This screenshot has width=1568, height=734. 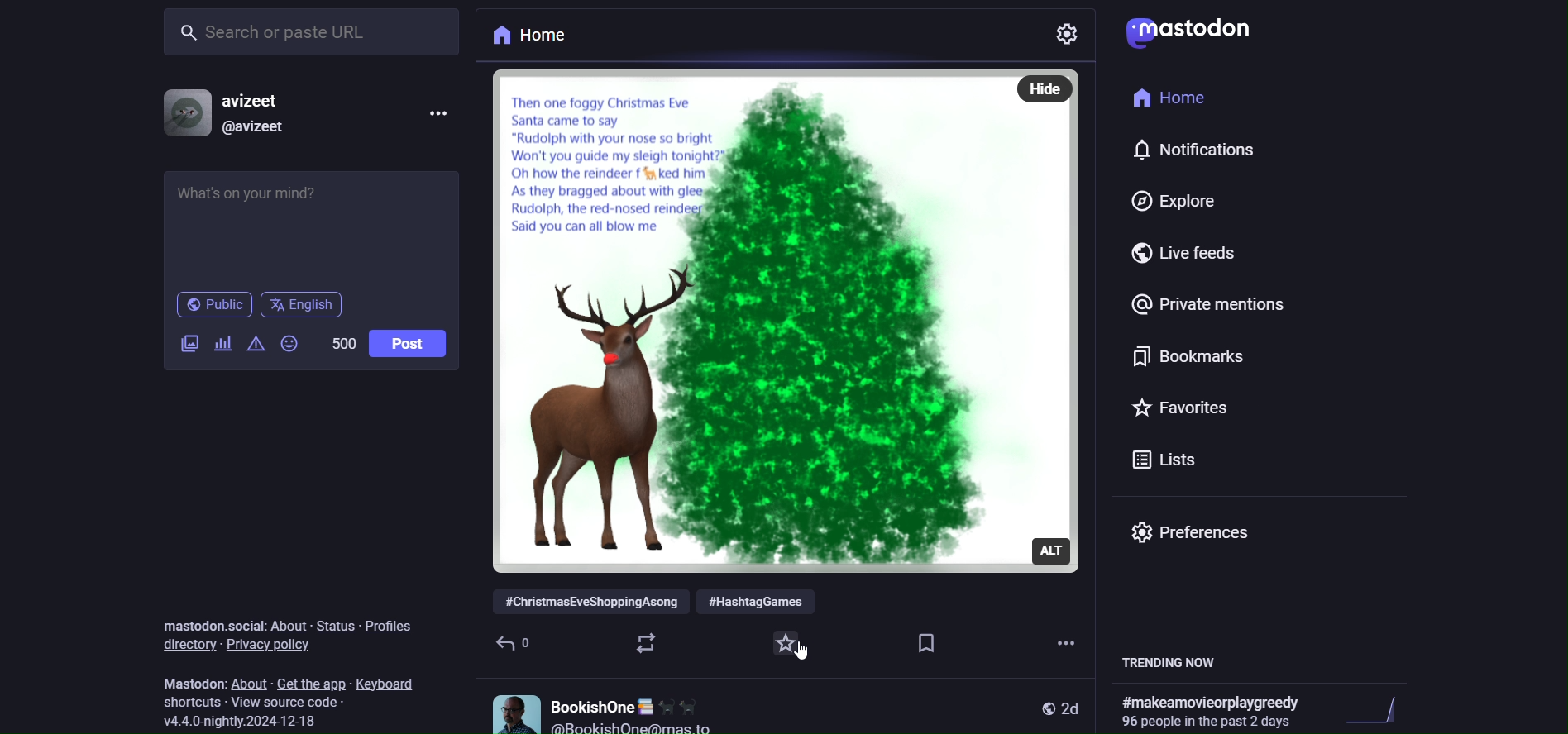 I want to click on public, so click(x=1037, y=706).